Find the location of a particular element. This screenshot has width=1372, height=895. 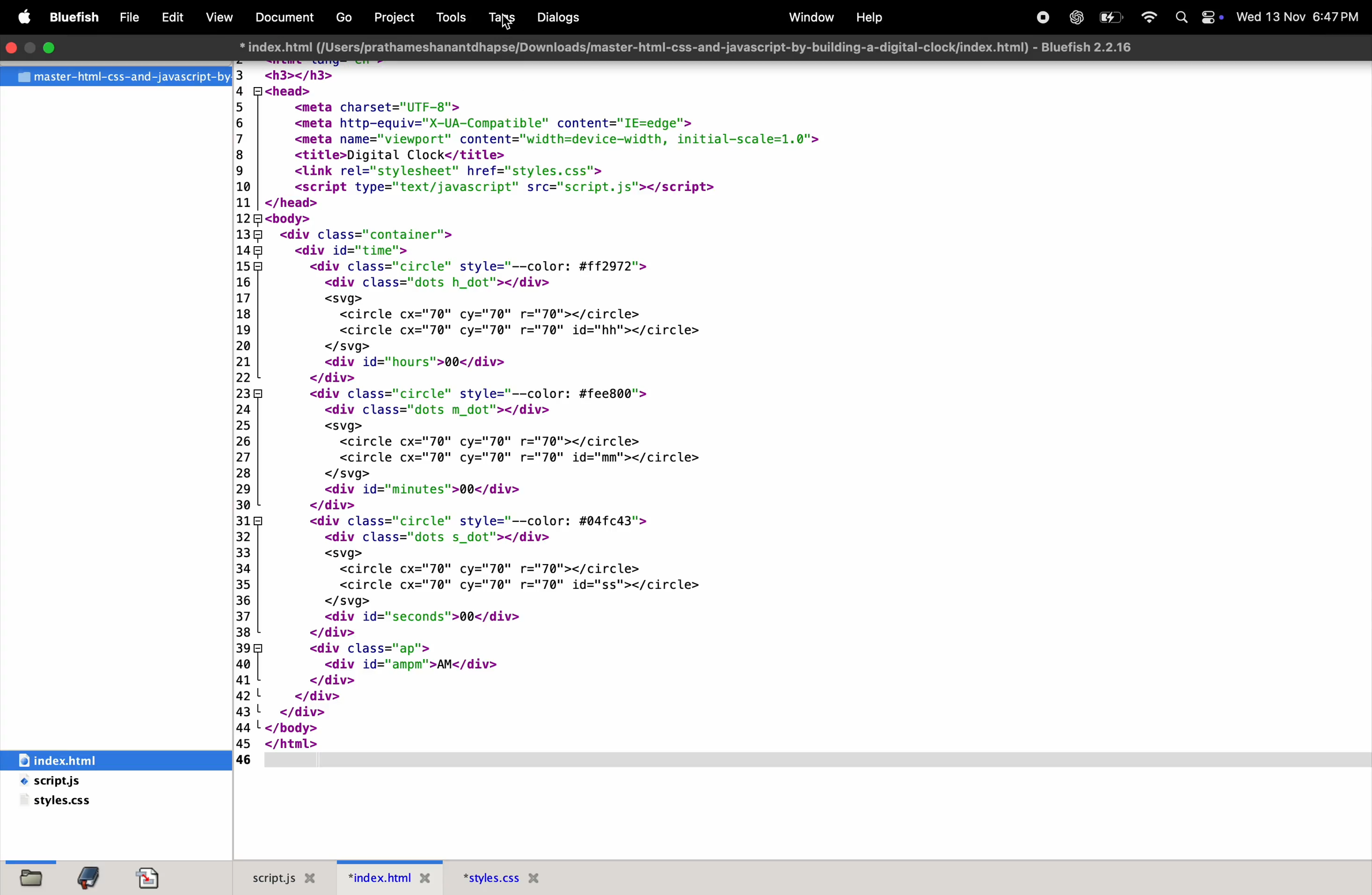

chatGpt is located at coordinates (1076, 16).